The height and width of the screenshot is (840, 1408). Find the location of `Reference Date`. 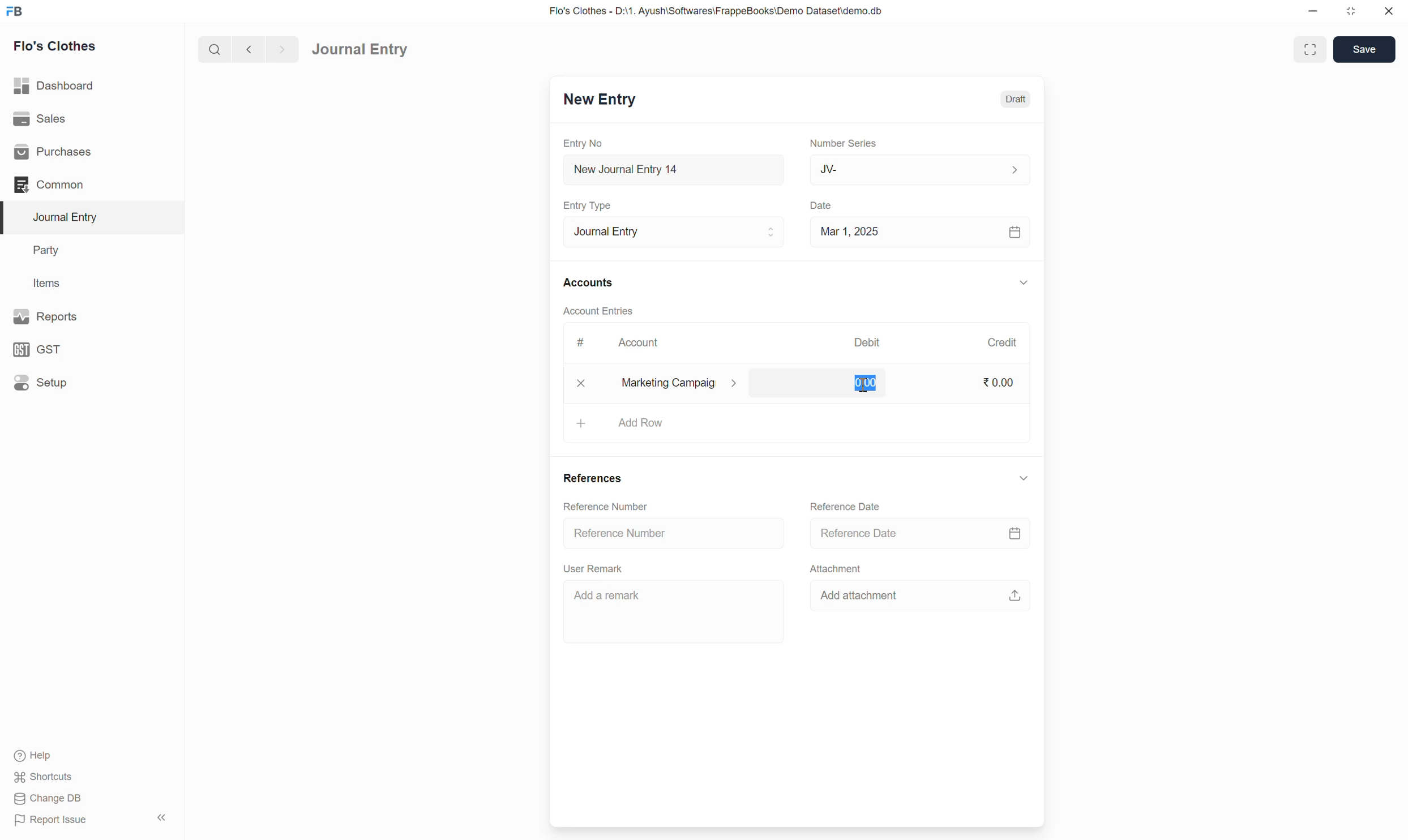

Reference Date is located at coordinates (862, 532).